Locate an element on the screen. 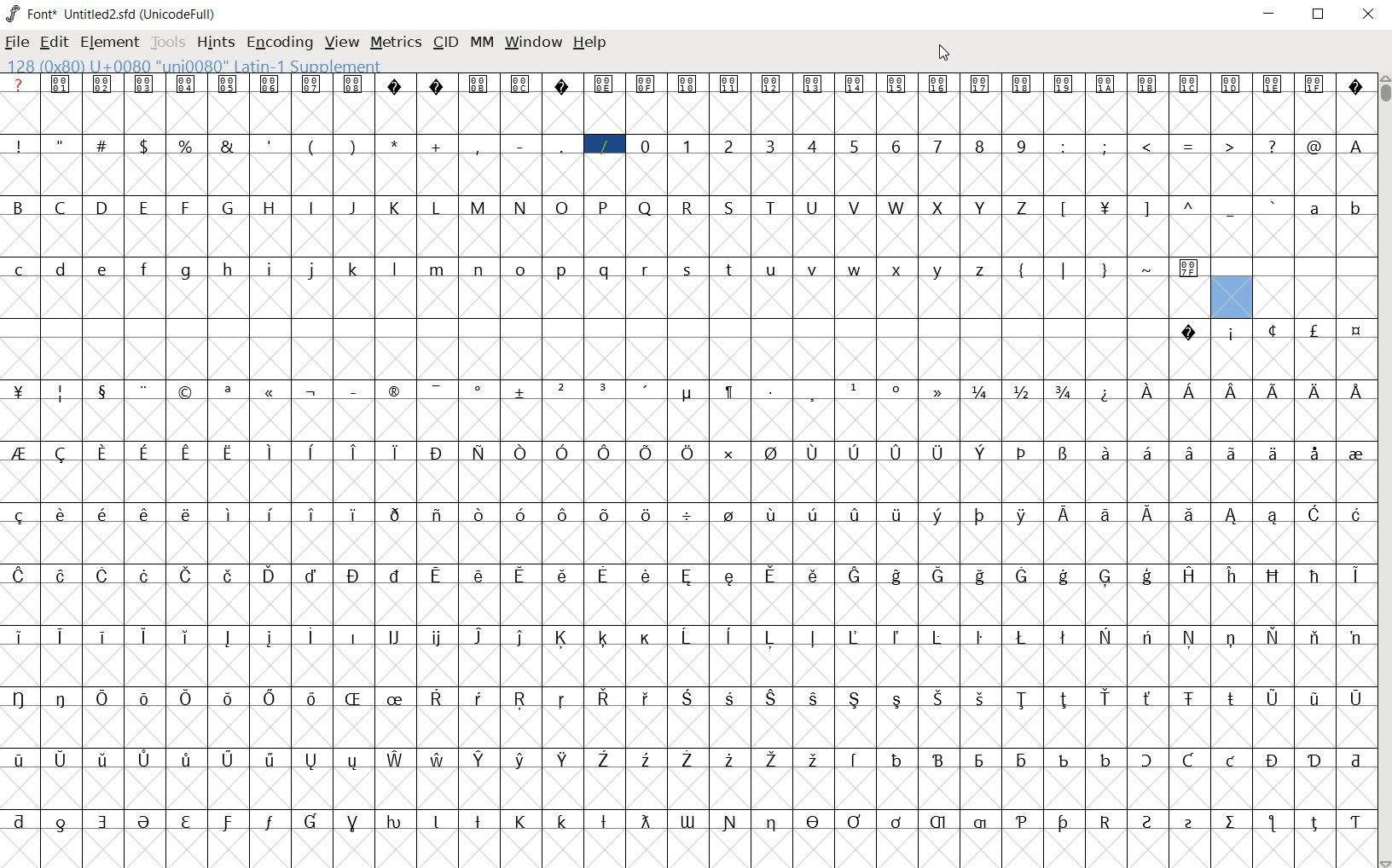 The width and height of the screenshot is (1392, 868). glyph is located at coordinates (896, 84).